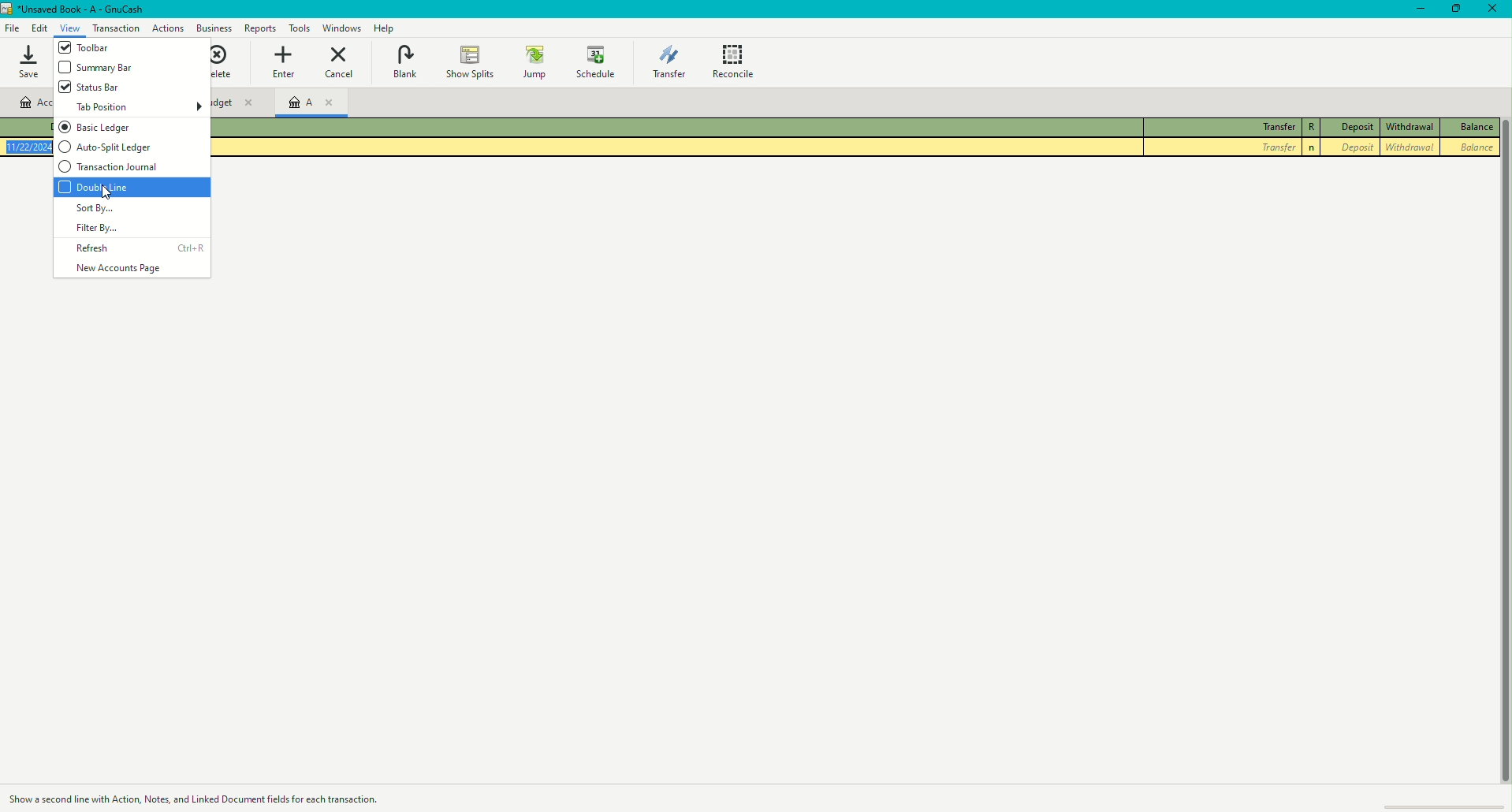  Describe the element at coordinates (209, 796) in the screenshot. I see `Cursor hover description` at that location.